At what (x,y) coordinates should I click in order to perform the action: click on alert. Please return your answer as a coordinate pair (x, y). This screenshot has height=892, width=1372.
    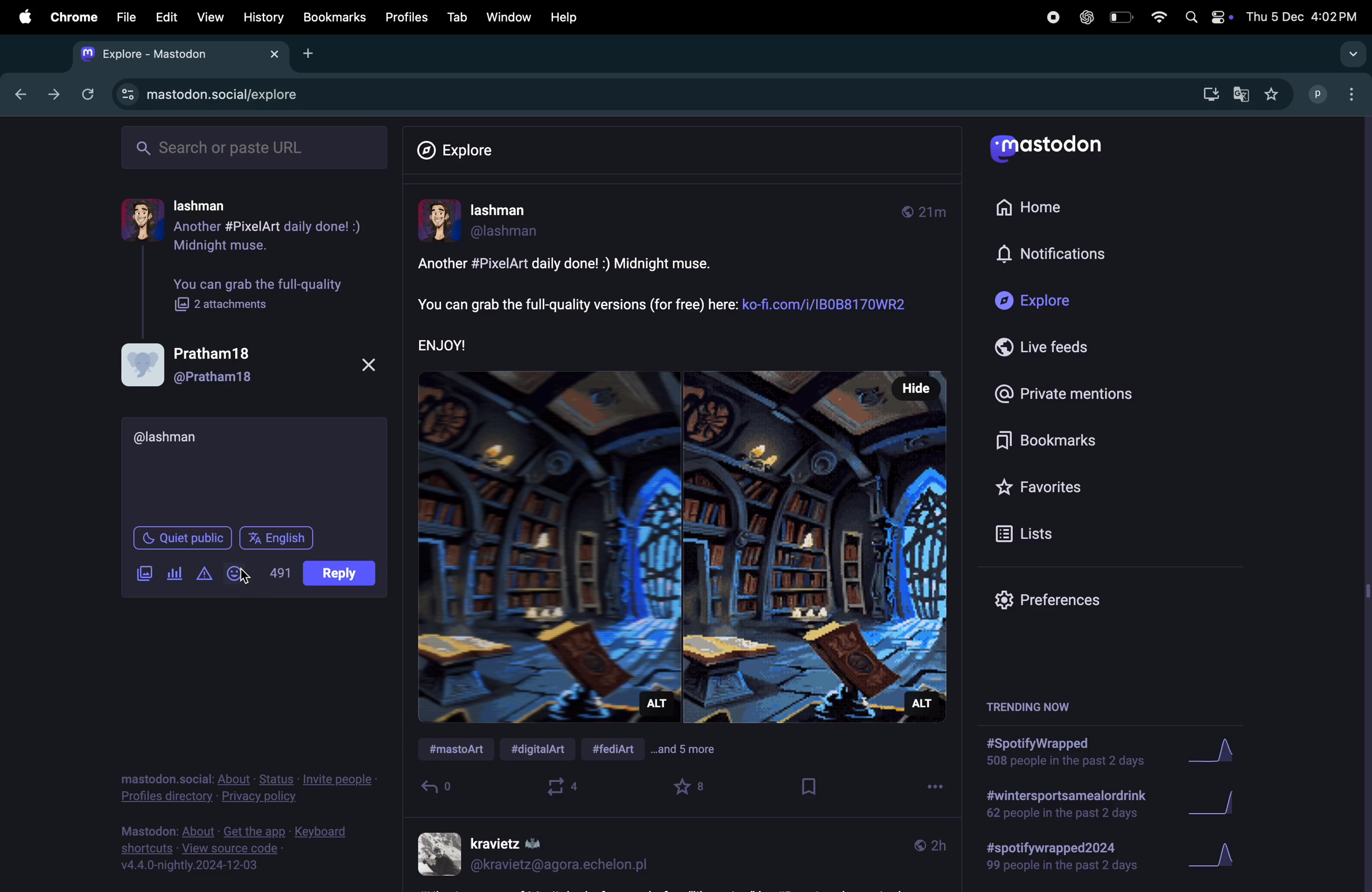
    Looking at the image, I should click on (203, 576).